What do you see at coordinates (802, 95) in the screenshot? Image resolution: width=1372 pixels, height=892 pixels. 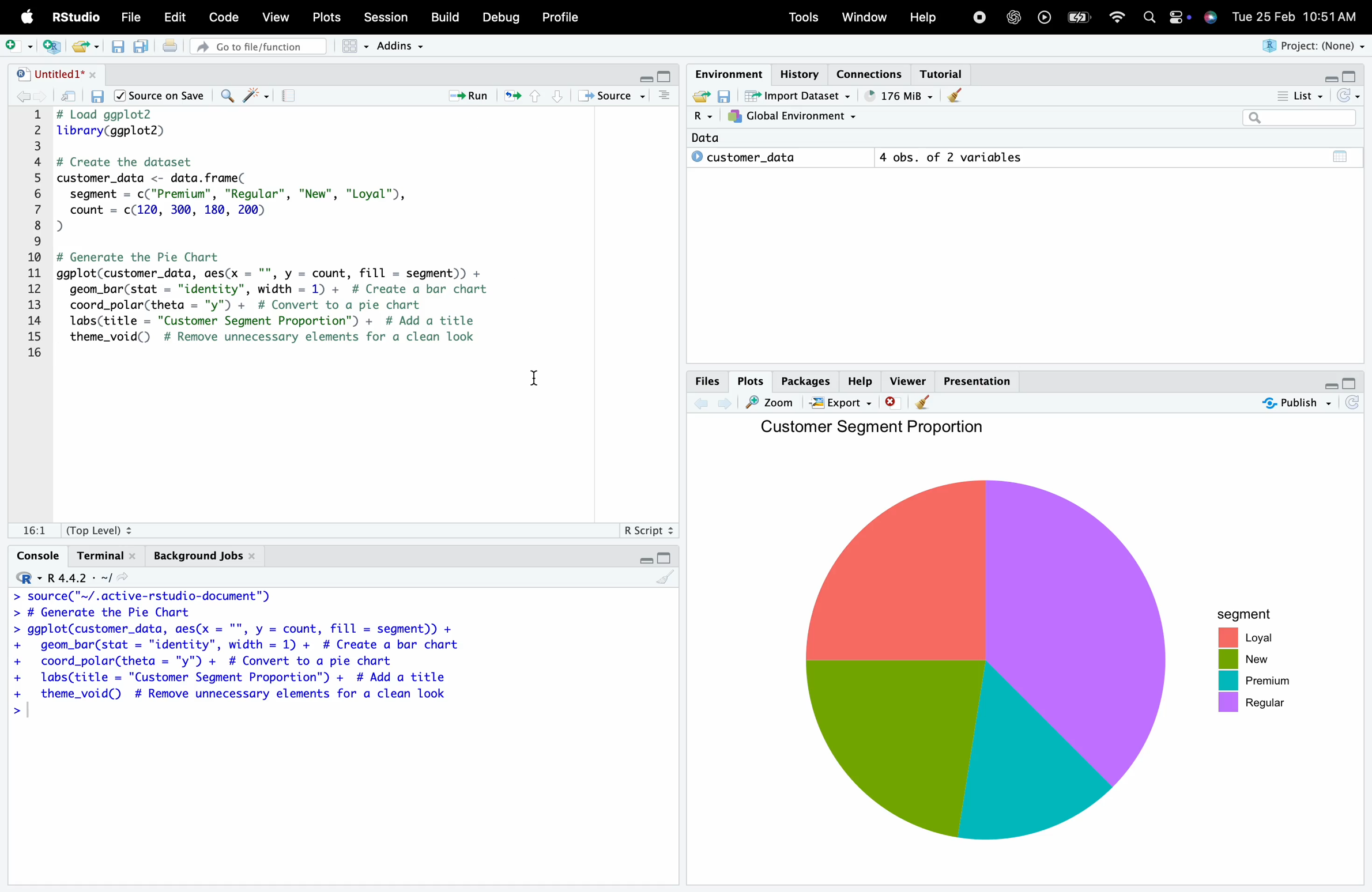 I see `import dataset ~ .` at bounding box center [802, 95].